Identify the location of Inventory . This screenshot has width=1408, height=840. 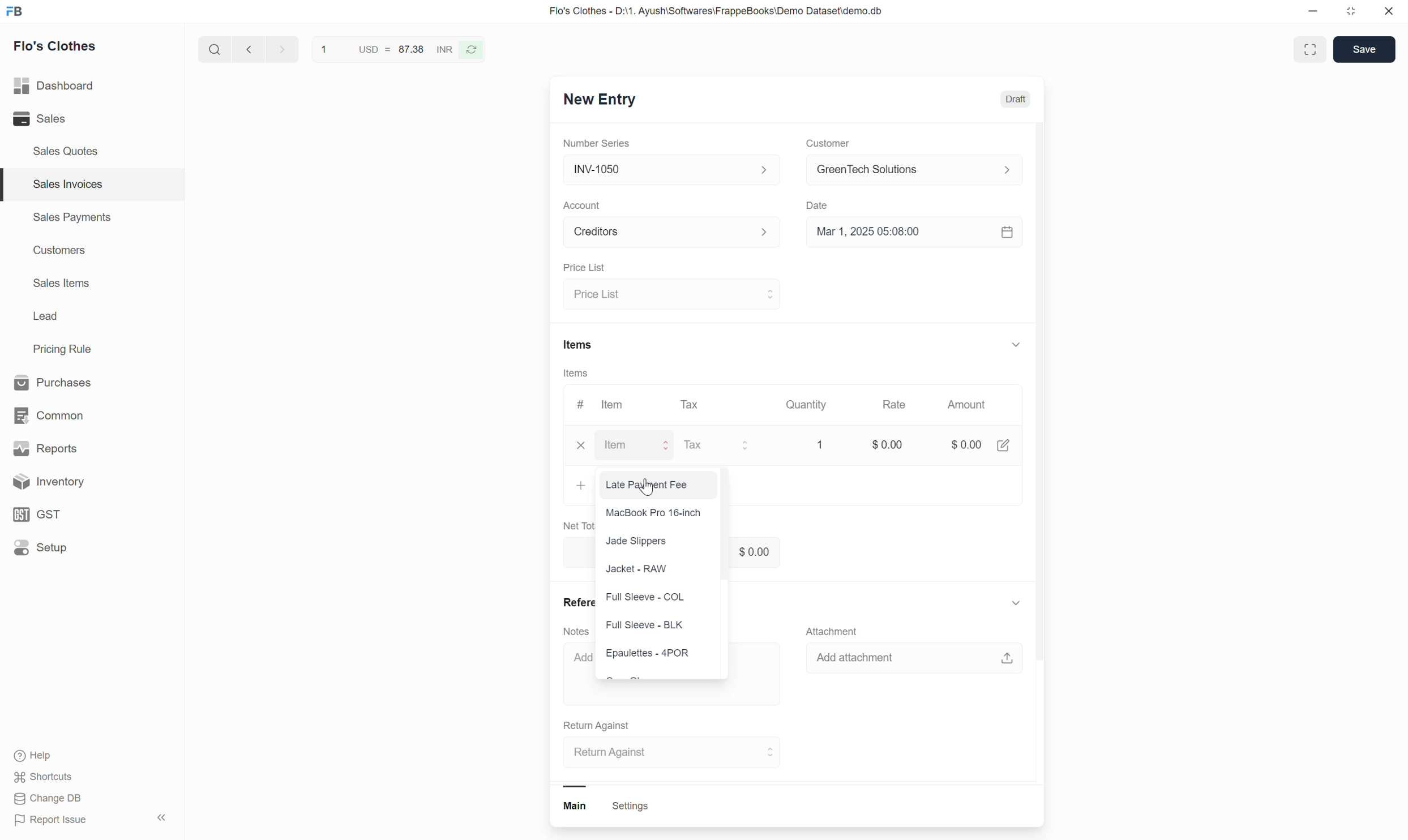
(85, 482).